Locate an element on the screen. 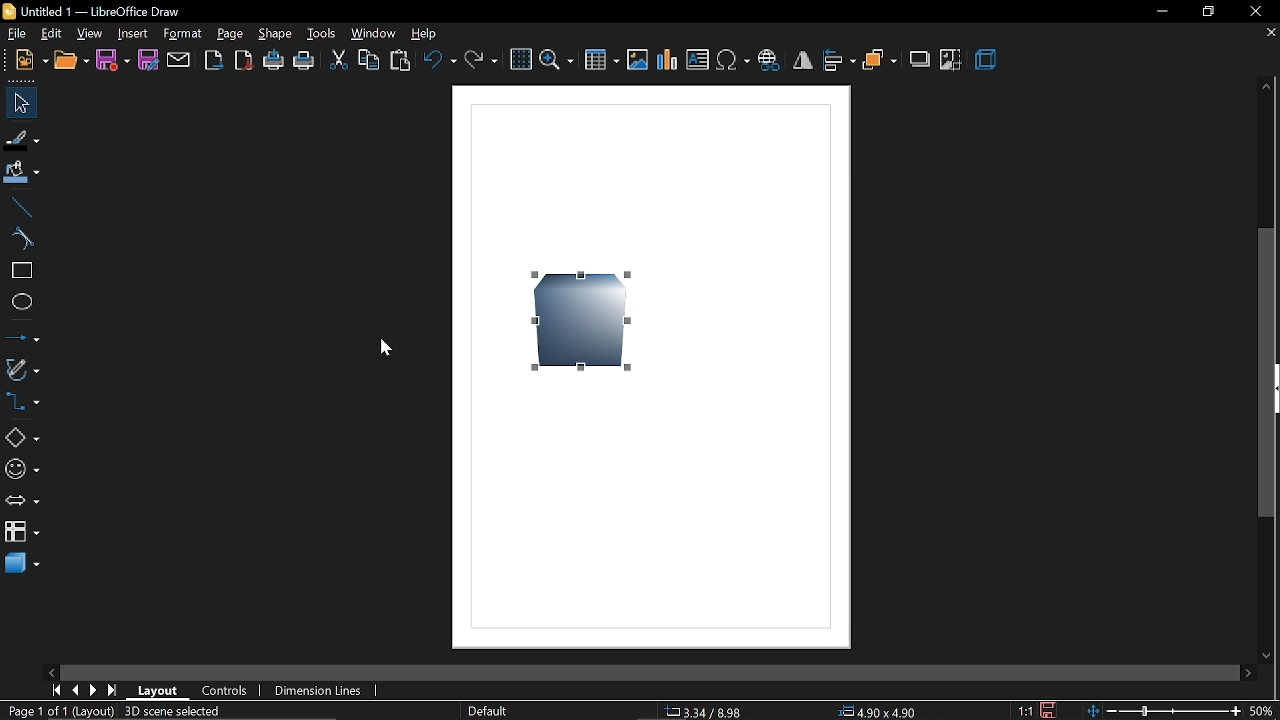 The height and width of the screenshot is (720, 1280). redo is located at coordinates (481, 61).